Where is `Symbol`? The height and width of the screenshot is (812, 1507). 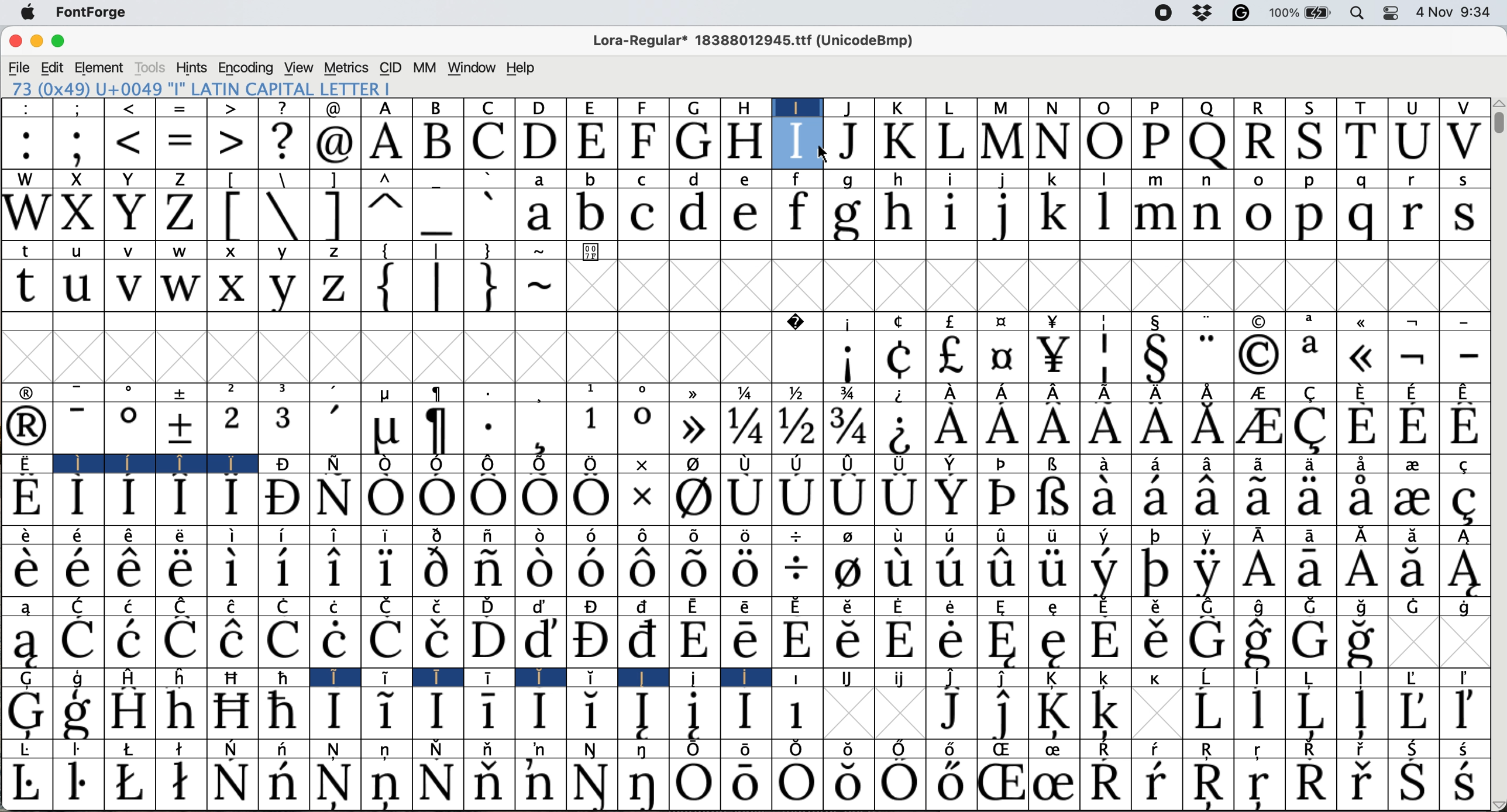
Symbol is located at coordinates (236, 677).